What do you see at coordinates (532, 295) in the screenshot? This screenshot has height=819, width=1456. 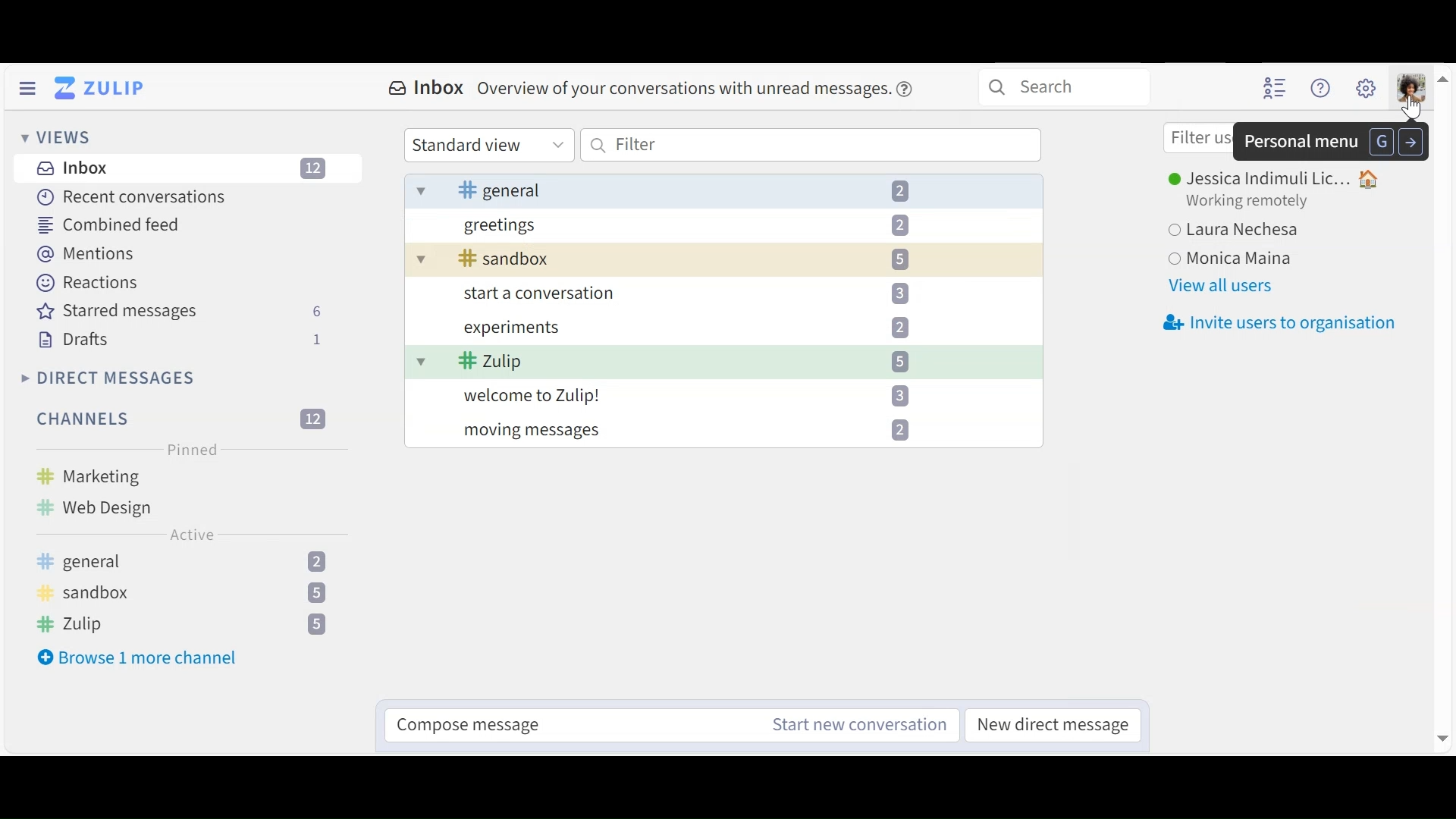 I see `start a conversation` at bounding box center [532, 295].